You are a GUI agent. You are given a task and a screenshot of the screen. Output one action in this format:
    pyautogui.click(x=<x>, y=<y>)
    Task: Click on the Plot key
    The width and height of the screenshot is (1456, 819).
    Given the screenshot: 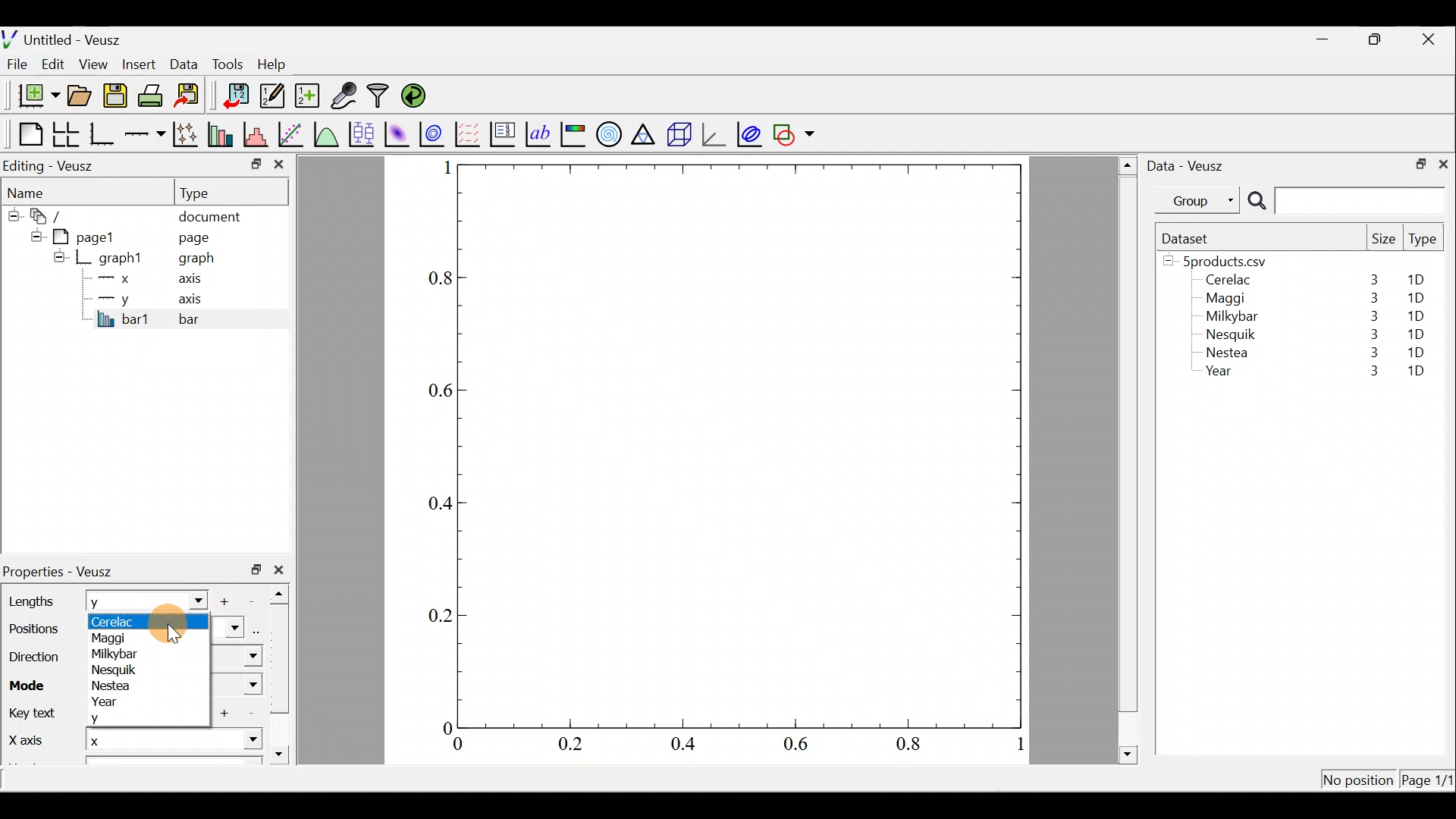 What is the action you would take?
    pyautogui.click(x=504, y=133)
    